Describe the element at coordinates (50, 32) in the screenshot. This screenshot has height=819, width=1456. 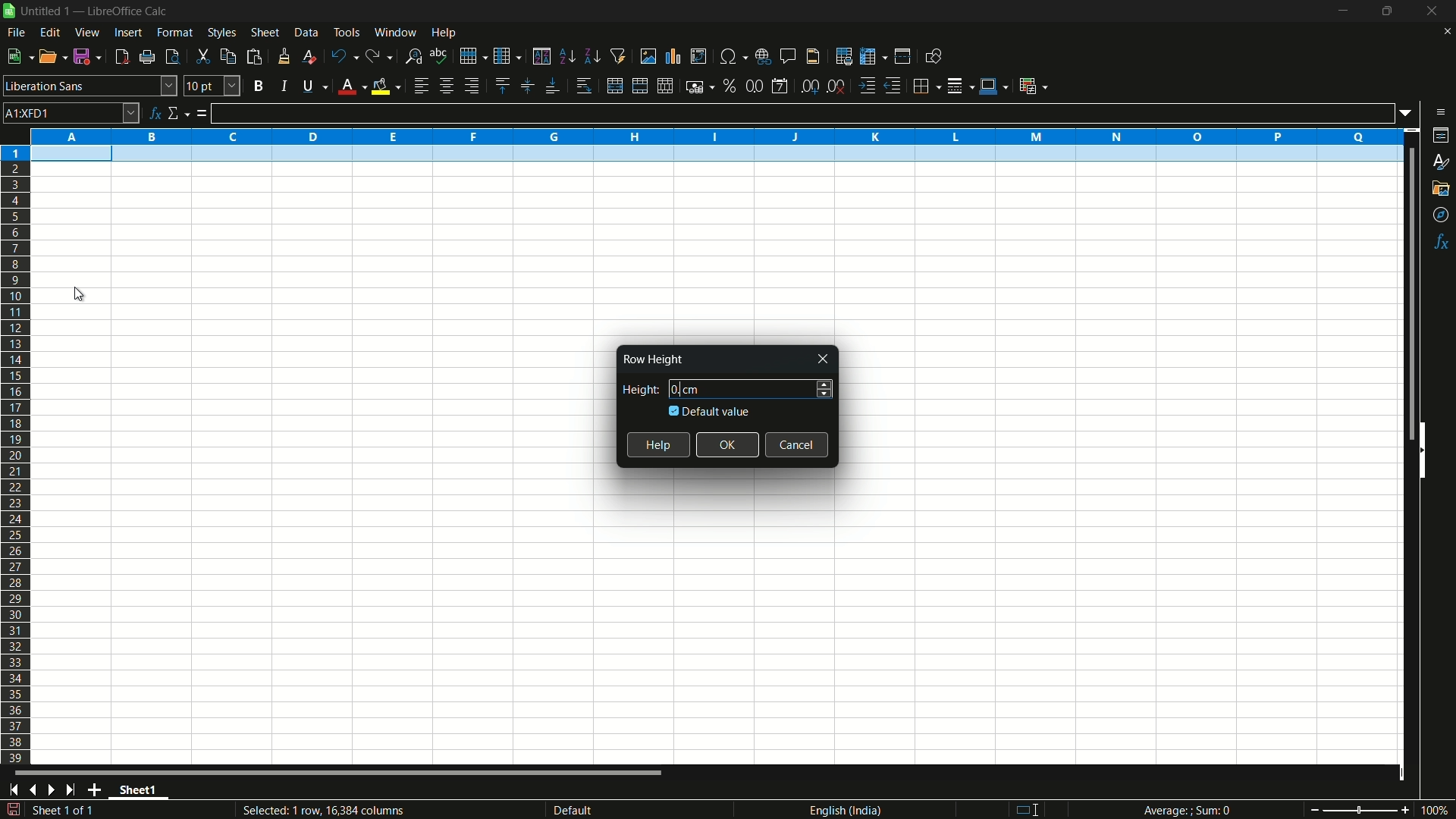
I see `edit menu` at that location.